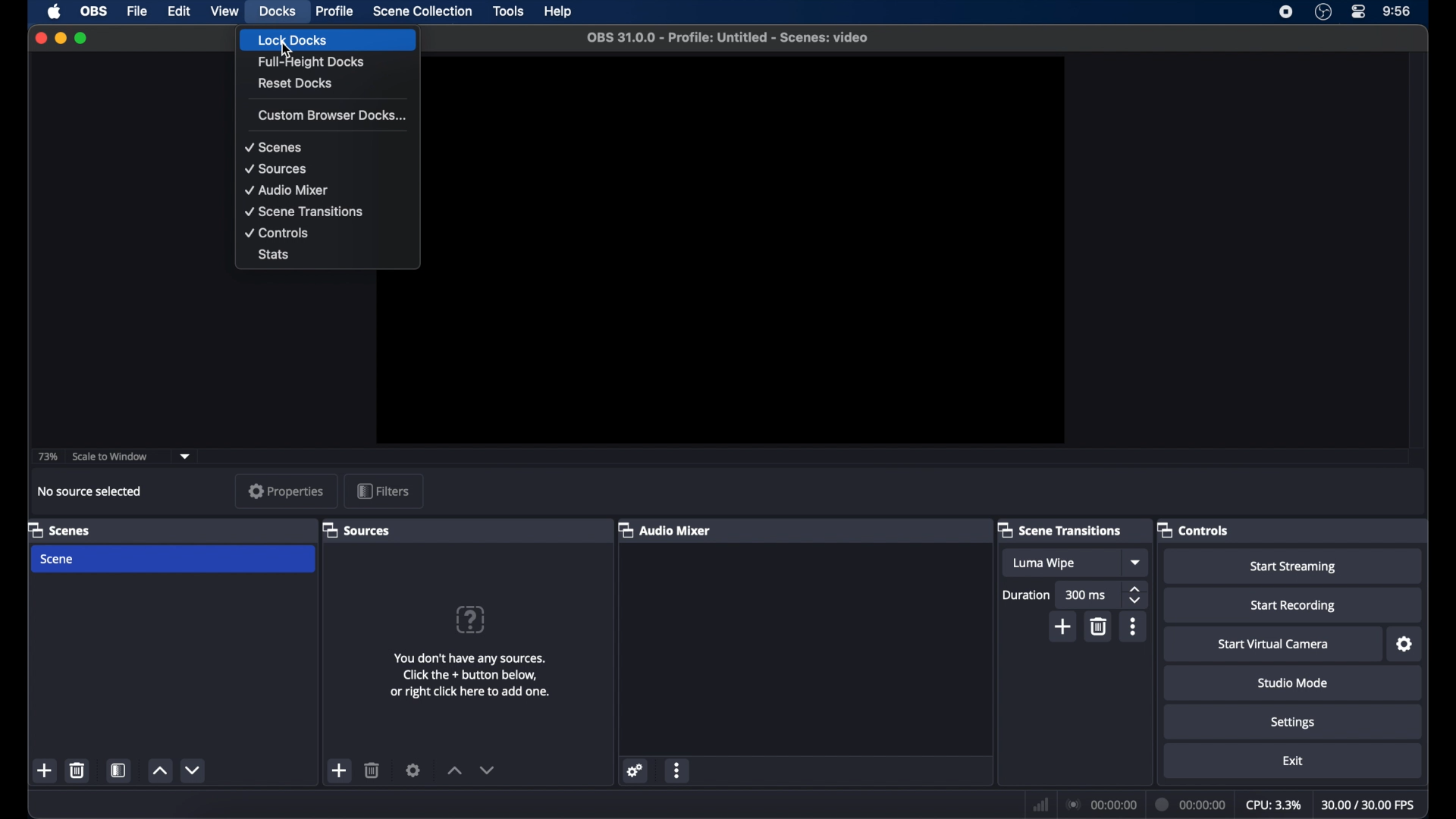  I want to click on audio mixer, so click(668, 531).